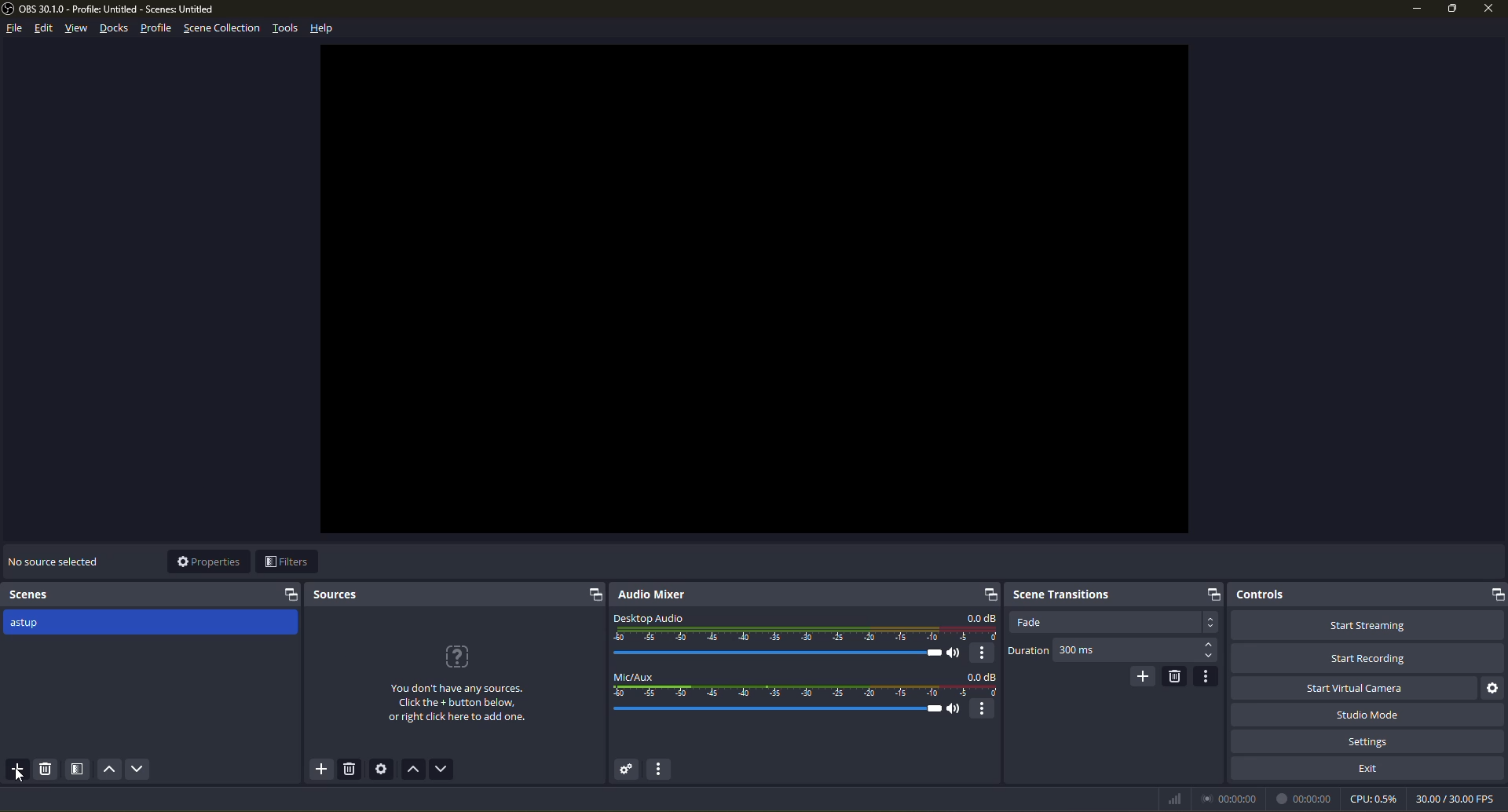  Describe the element at coordinates (627, 770) in the screenshot. I see `advanced audio properties` at that location.